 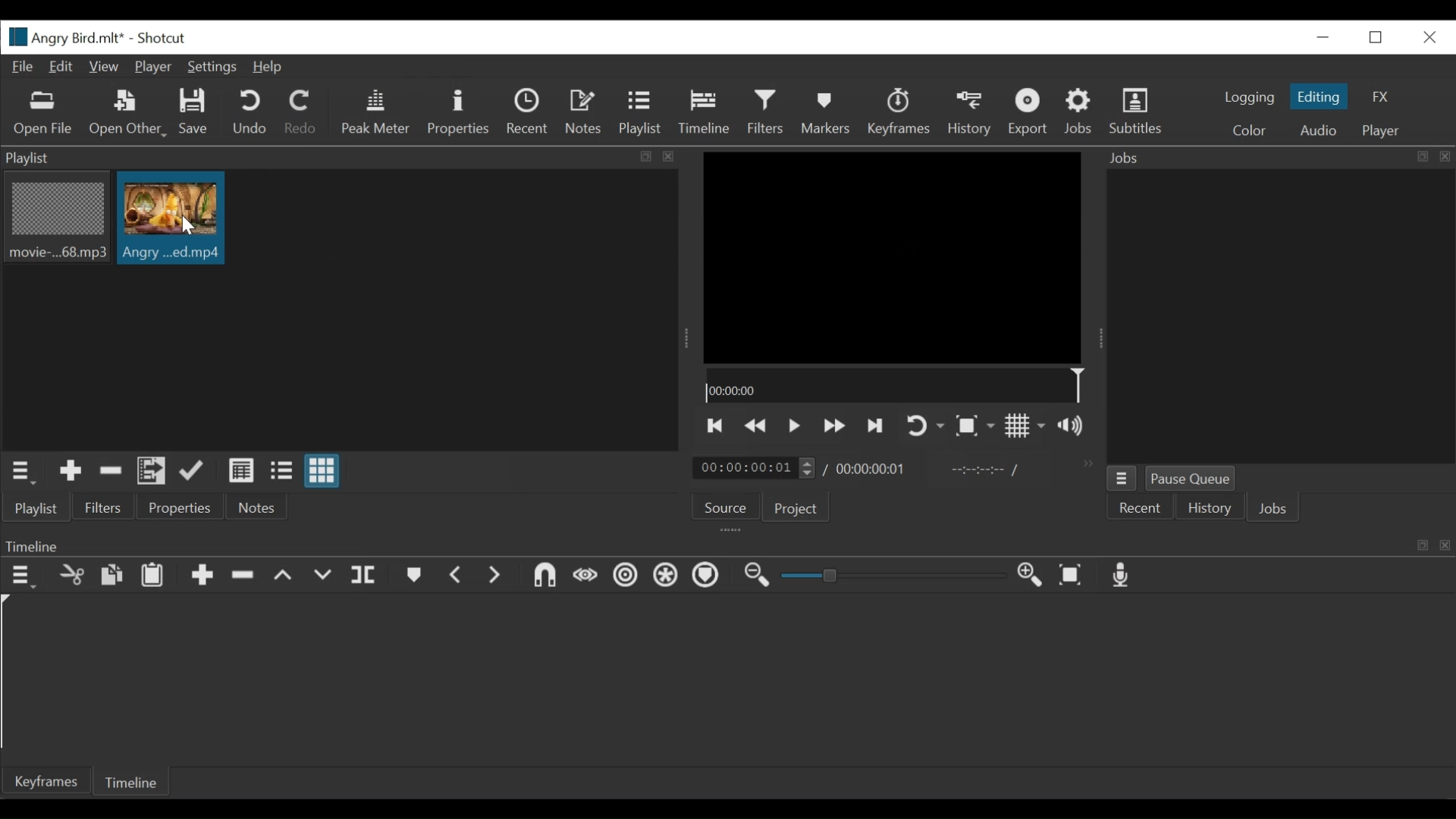 I want to click on Update, so click(x=195, y=472).